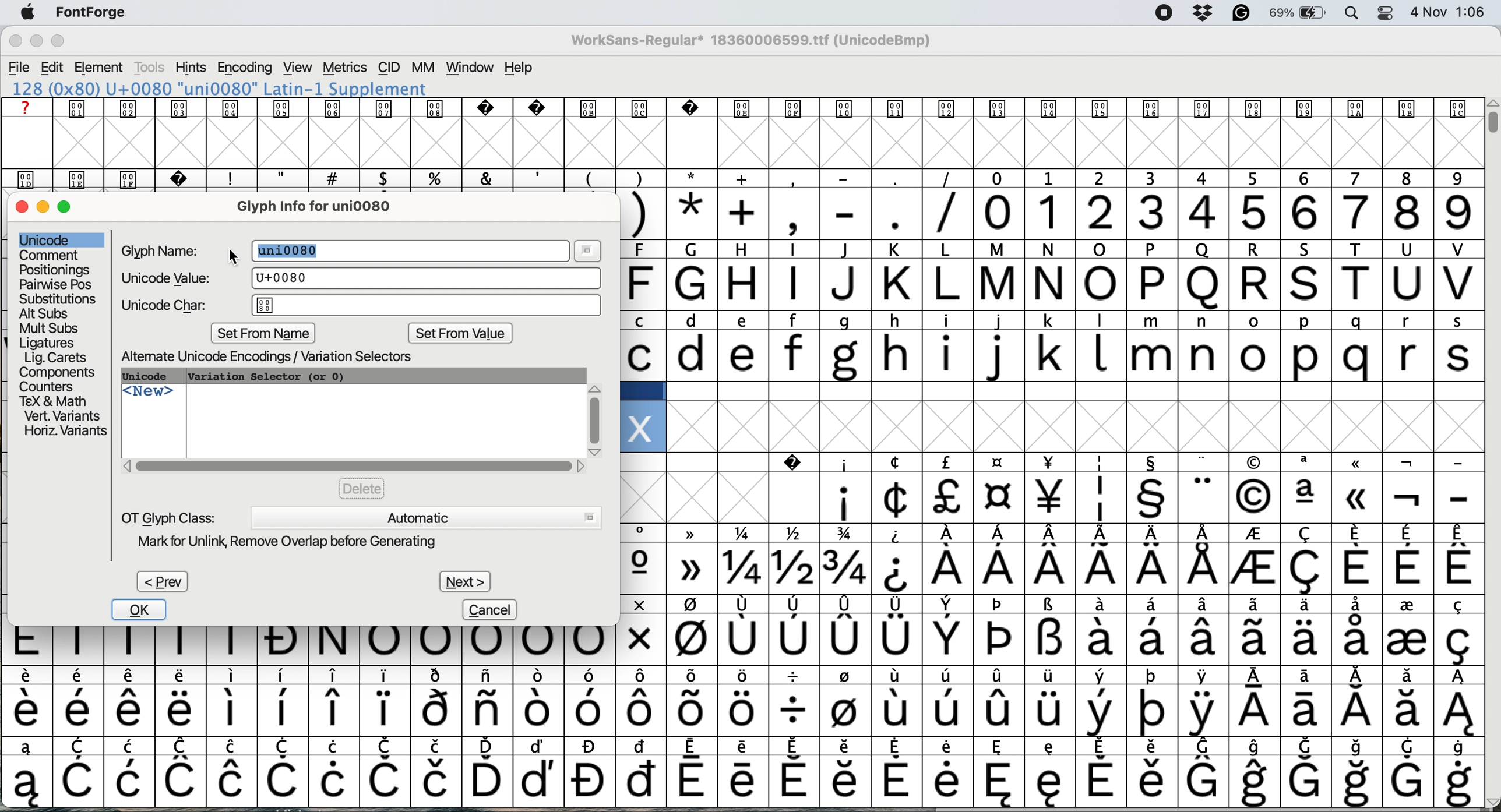 Image resolution: width=1501 pixels, height=812 pixels. I want to click on grammarly, so click(1239, 13).